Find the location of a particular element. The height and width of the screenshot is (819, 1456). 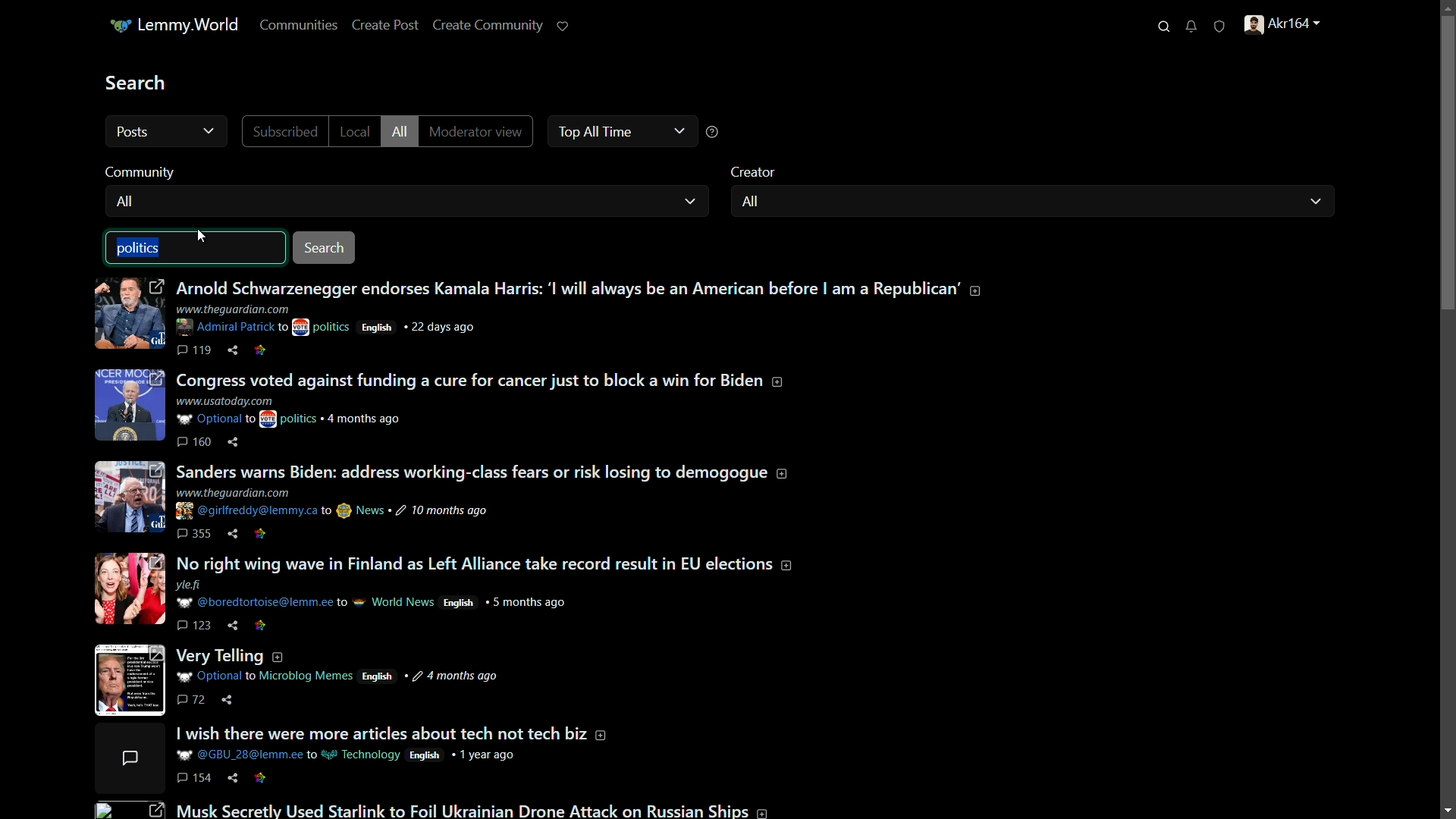

Create Community is located at coordinates (490, 24).